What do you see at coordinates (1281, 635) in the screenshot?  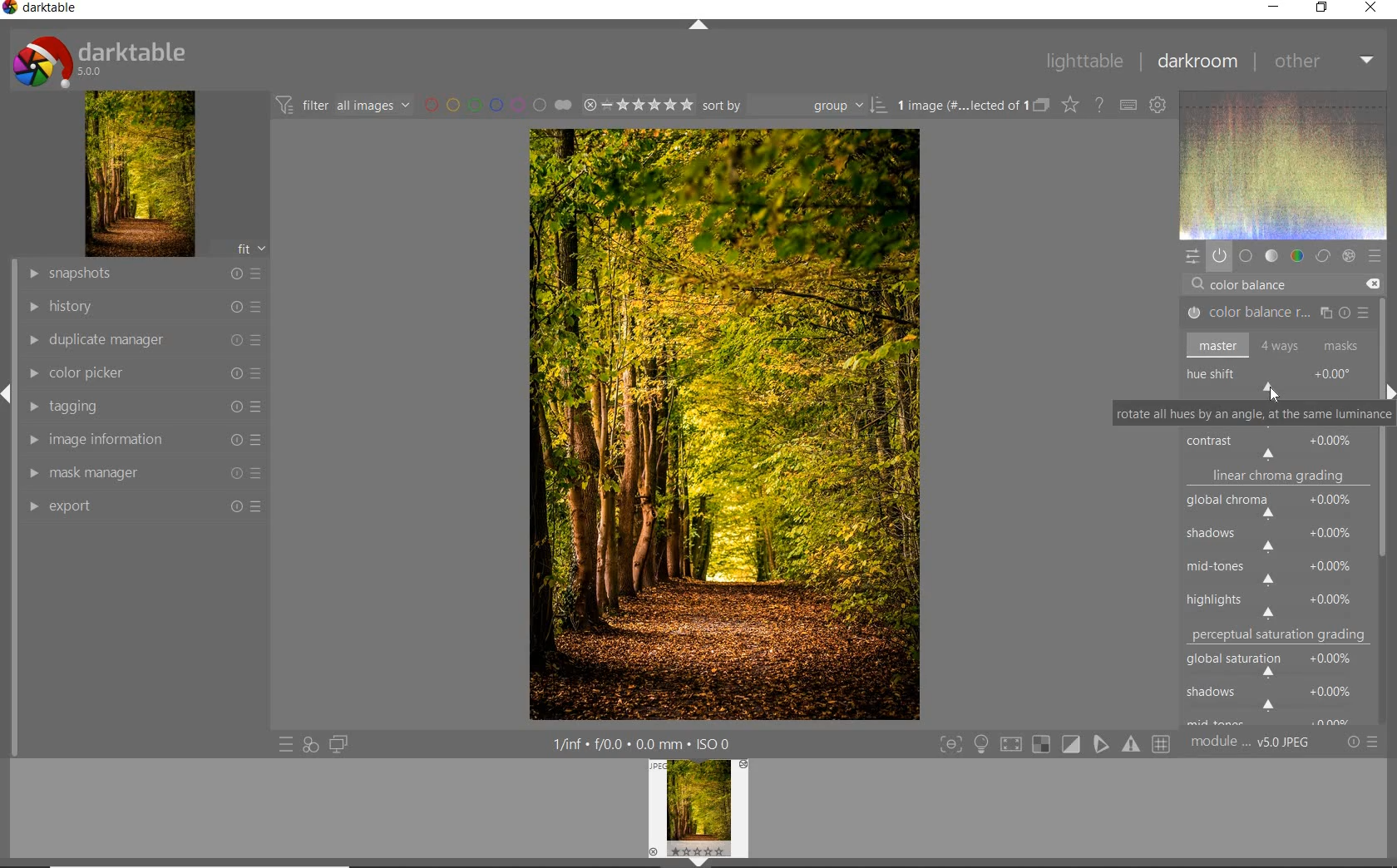 I see `perceptual saturation grading` at bounding box center [1281, 635].